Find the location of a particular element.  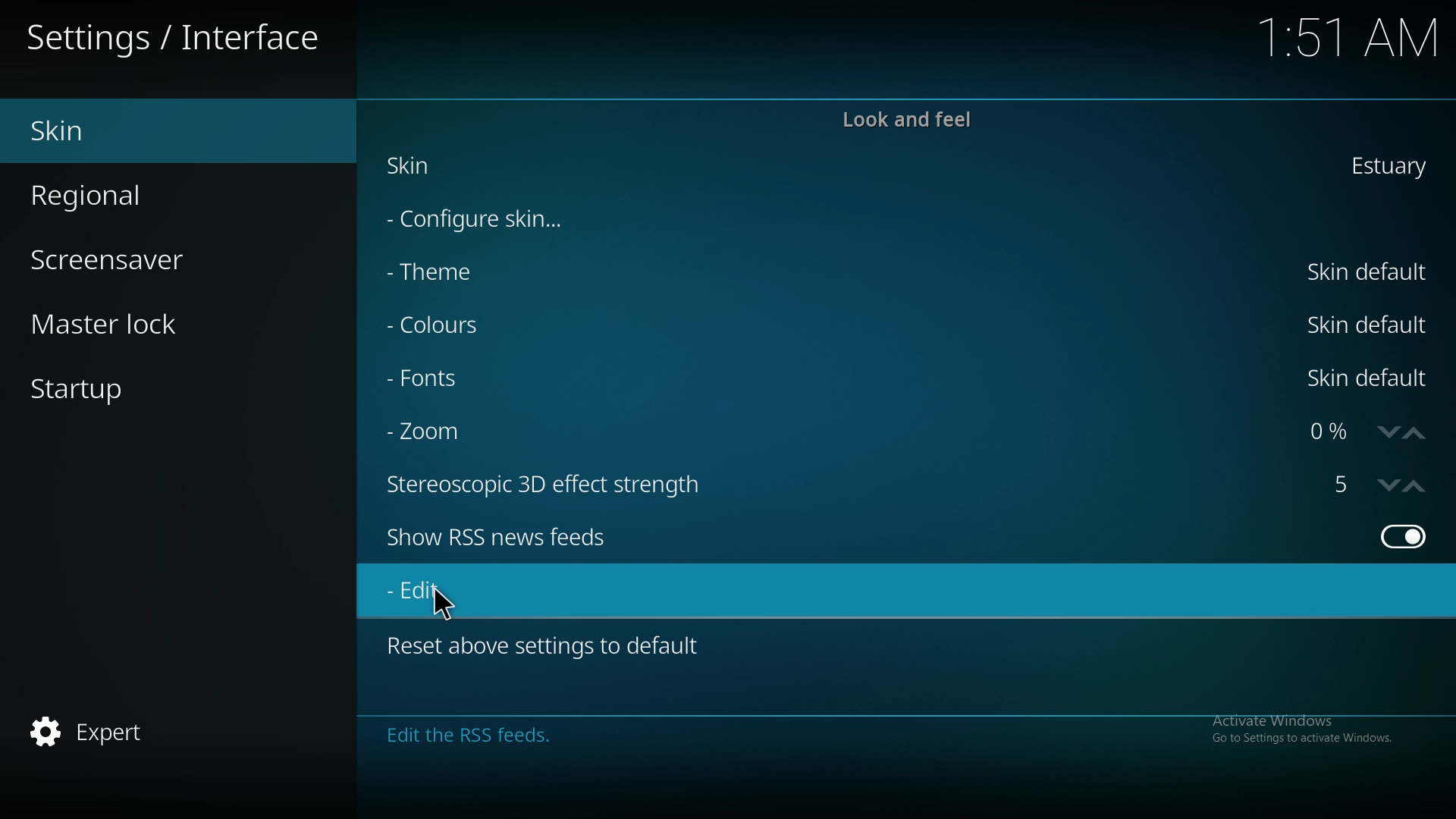

stereoscopic 3d effect strength is located at coordinates (1345, 485).